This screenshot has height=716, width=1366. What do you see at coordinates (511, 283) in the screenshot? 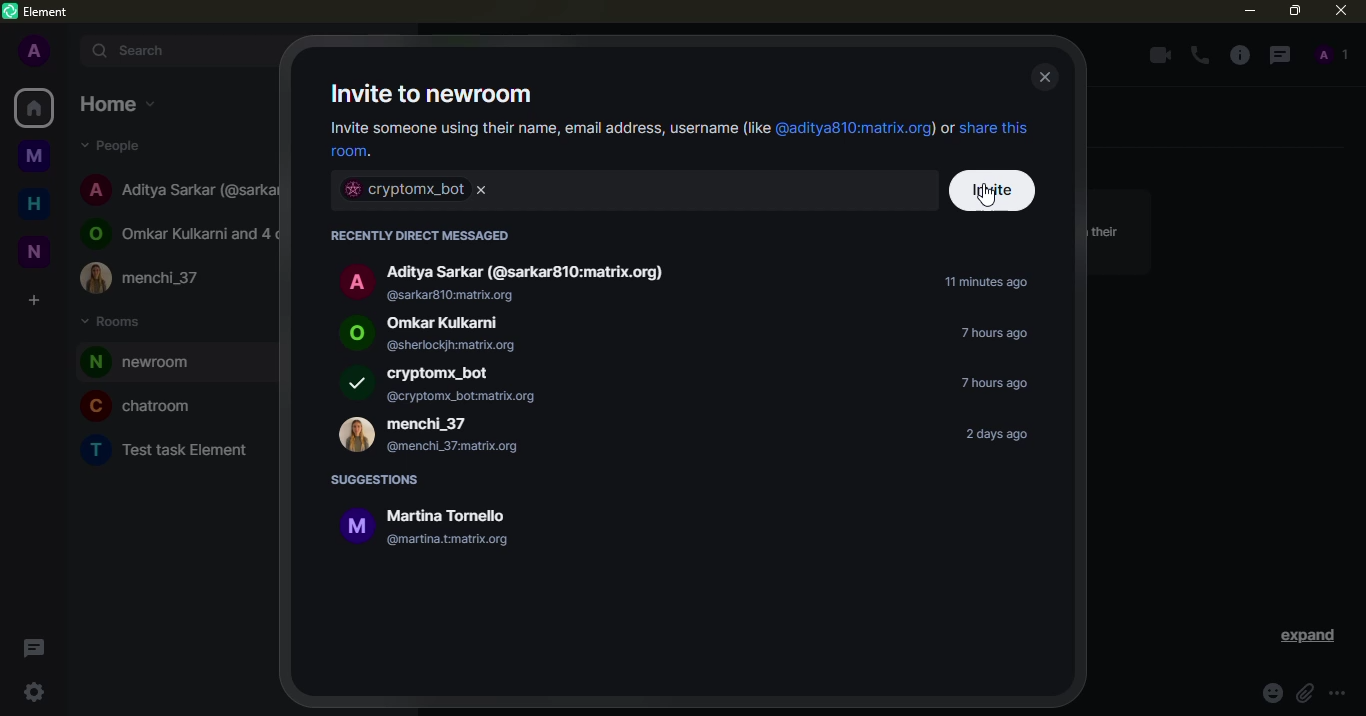
I see `Aditya Sarkar (@sarkar810:matrix.org)
@sarkar810:matrix.org` at bounding box center [511, 283].